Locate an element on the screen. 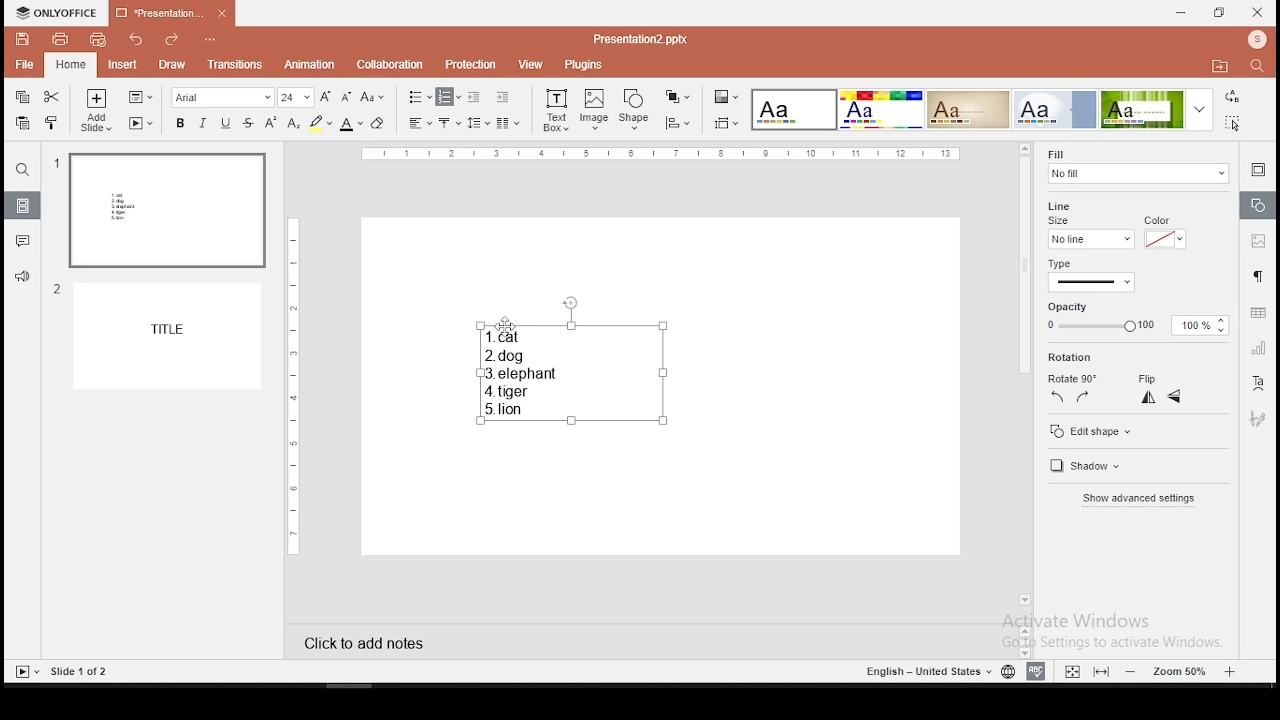 This screenshot has height=720, width=1280. highlight is located at coordinates (320, 123).